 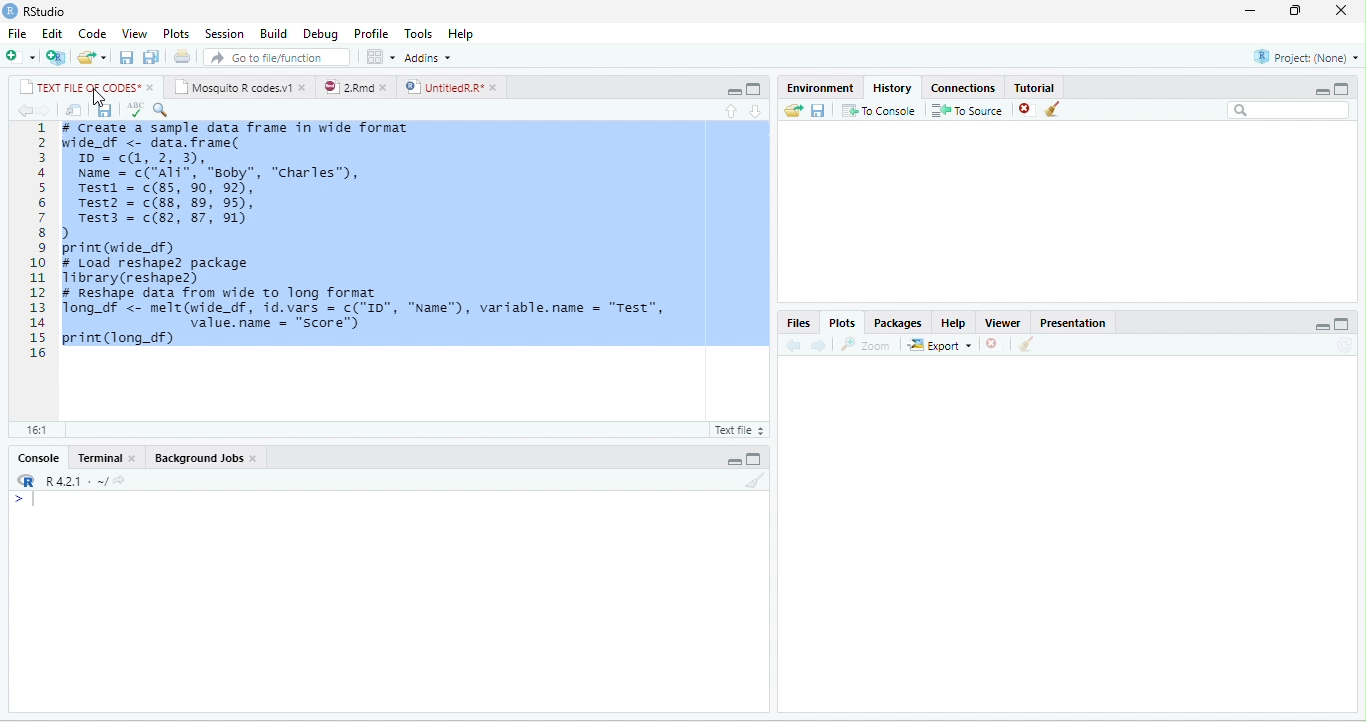 I want to click on Help, so click(x=954, y=323).